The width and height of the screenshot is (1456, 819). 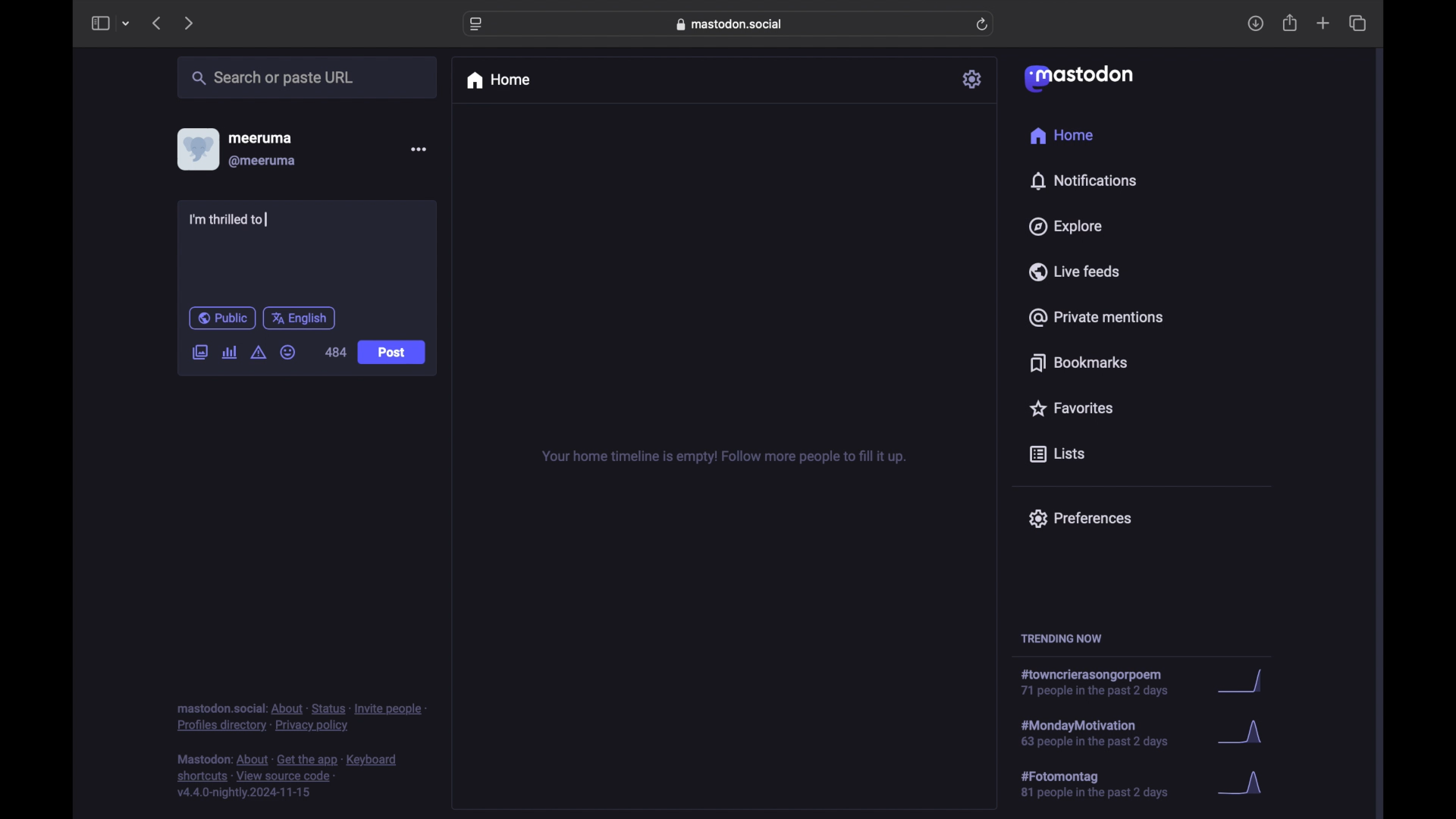 What do you see at coordinates (1063, 135) in the screenshot?
I see `home` at bounding box center [1063, 135].